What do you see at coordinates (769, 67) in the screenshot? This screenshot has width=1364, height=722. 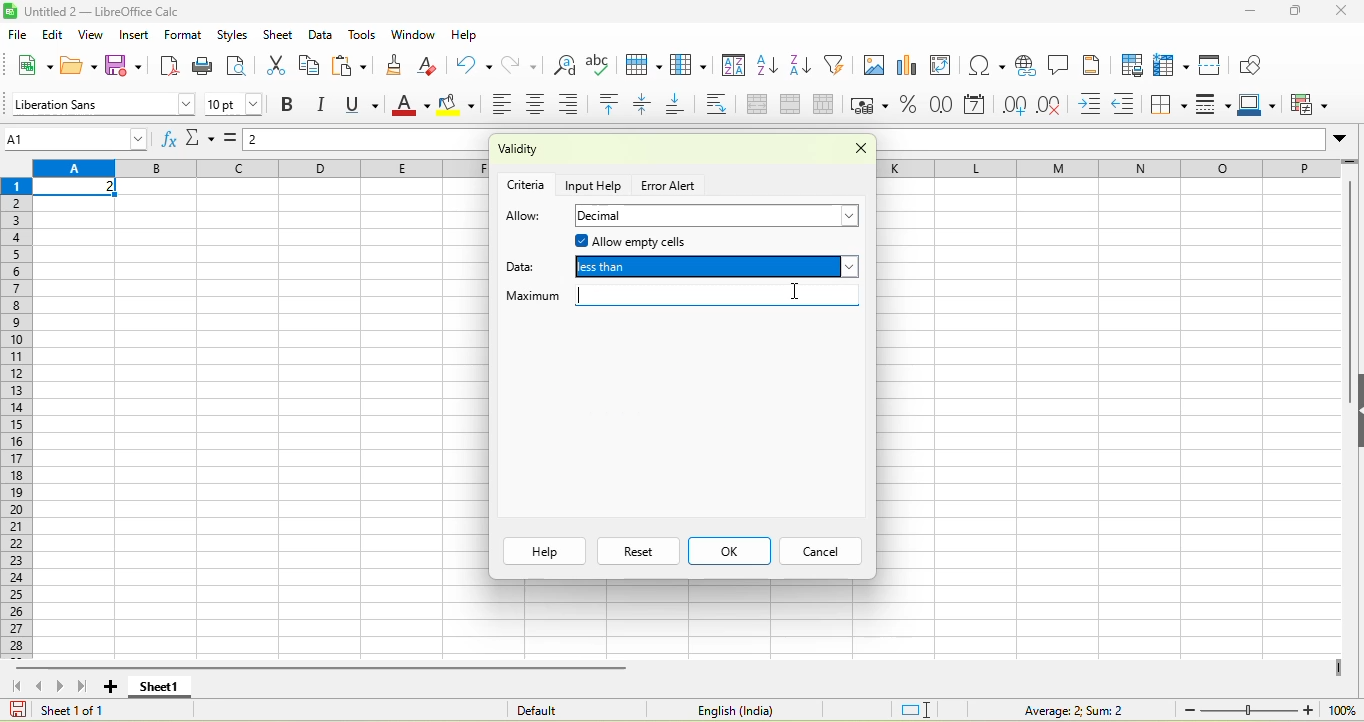 I see `sort ascending` at bounding box center [769, 67].